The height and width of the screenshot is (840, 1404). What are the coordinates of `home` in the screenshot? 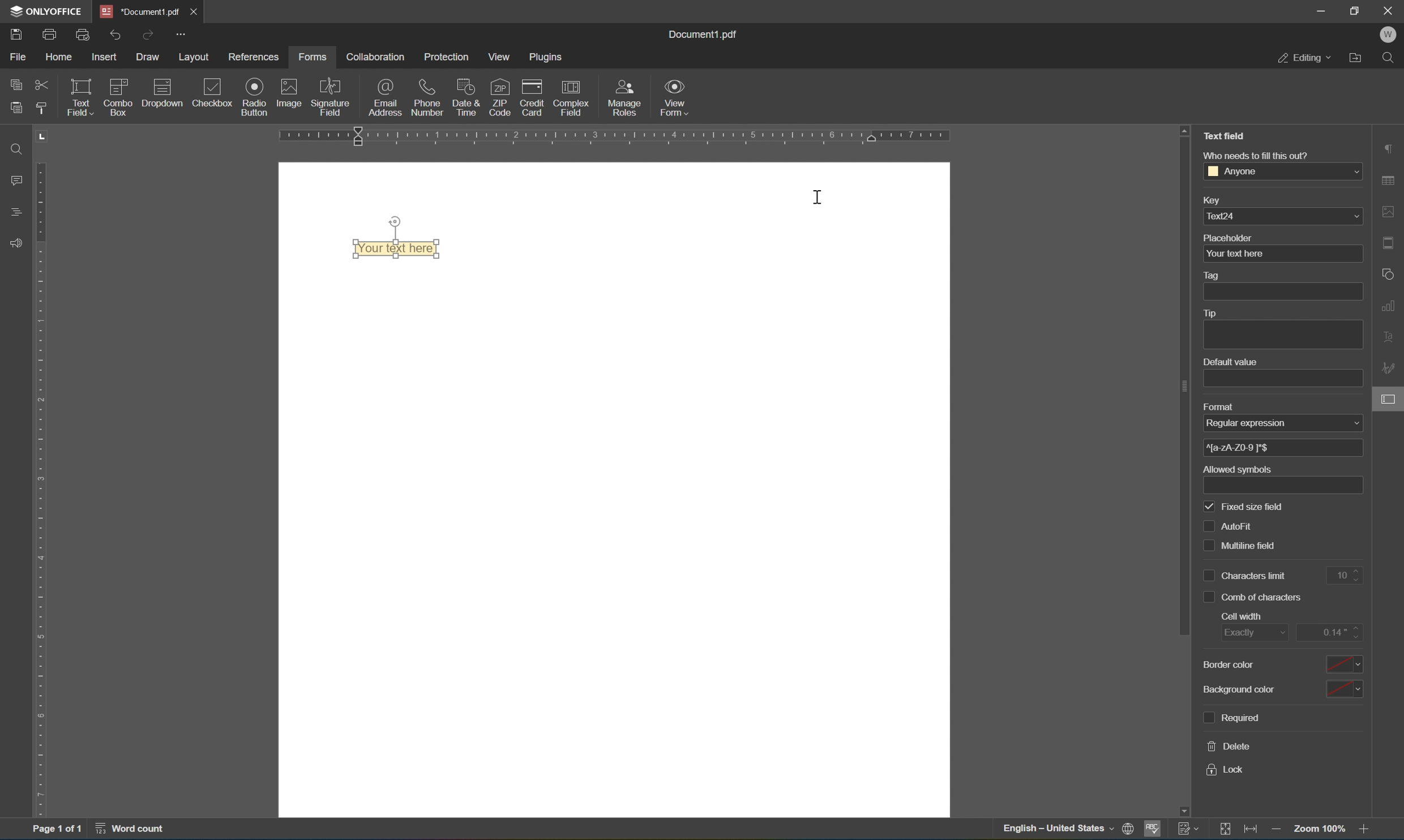 It's located at (58, 59).